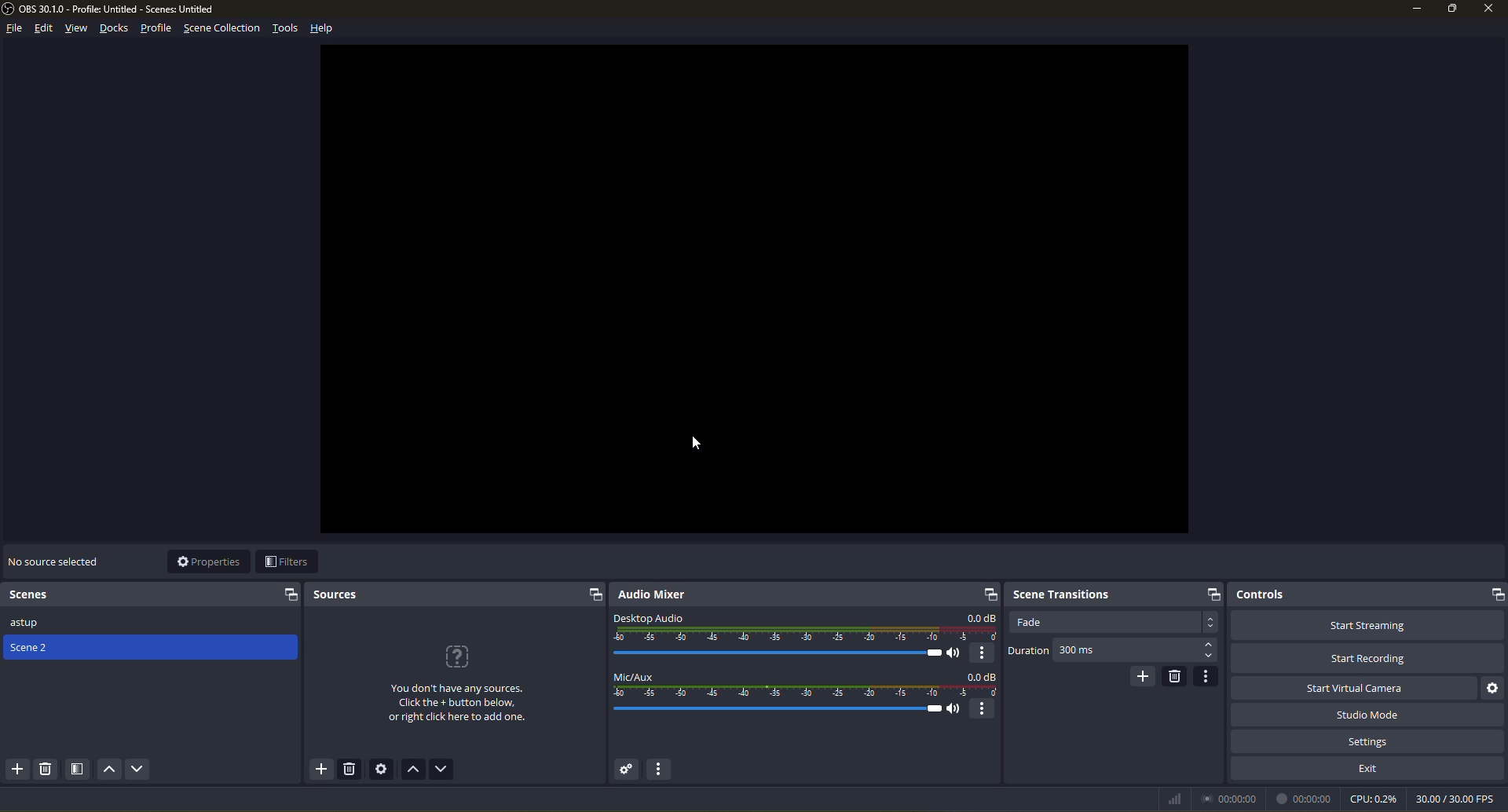 This screenshot has width=1508, height=812. I want to click on expand, so click(594, 594).